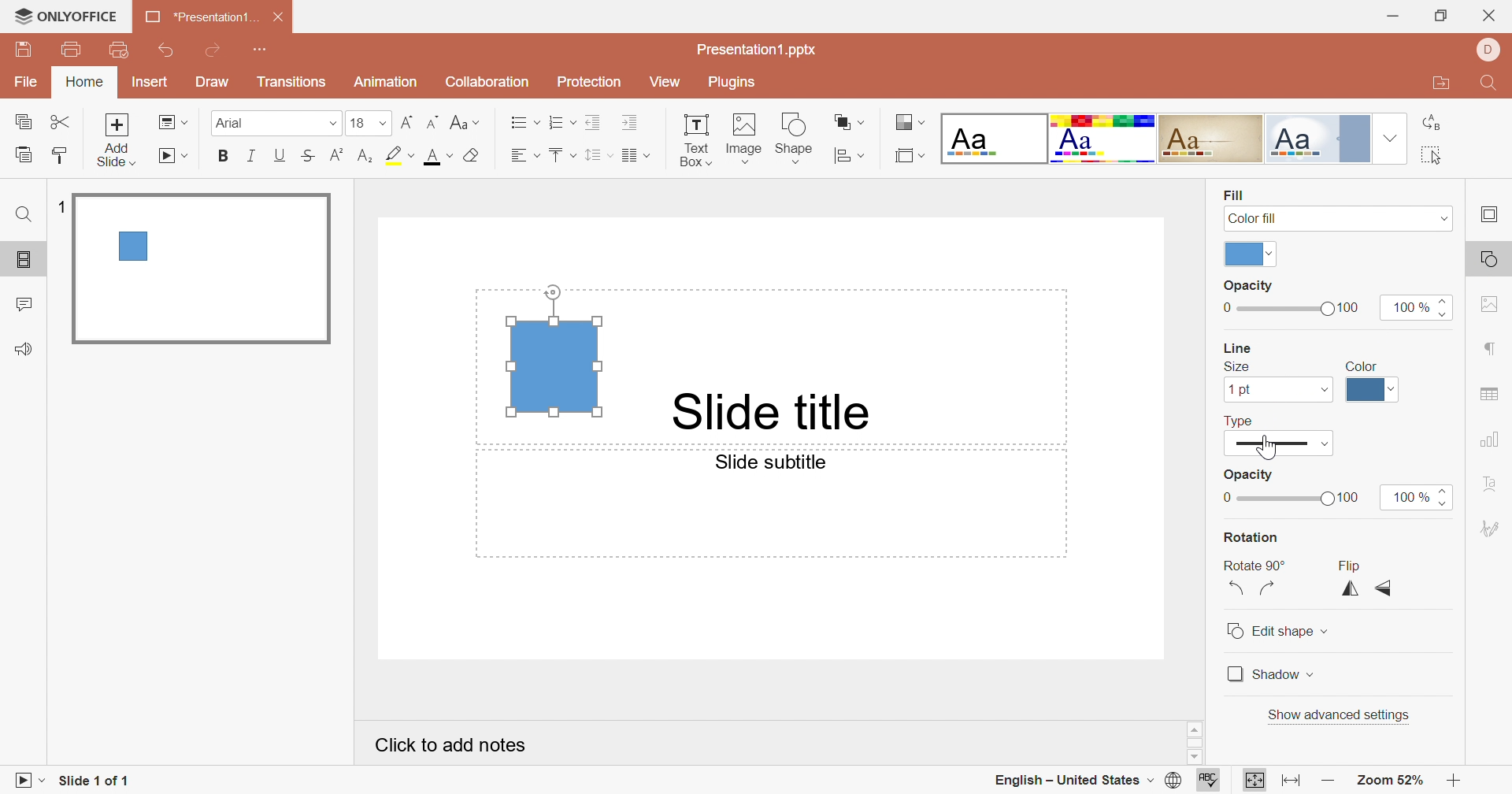 Image resolution: width=1512 pixels, height=794 pixels. Describe the element at coordinates (488, 83) in the screenshot. I see `Collaboration` at that location.